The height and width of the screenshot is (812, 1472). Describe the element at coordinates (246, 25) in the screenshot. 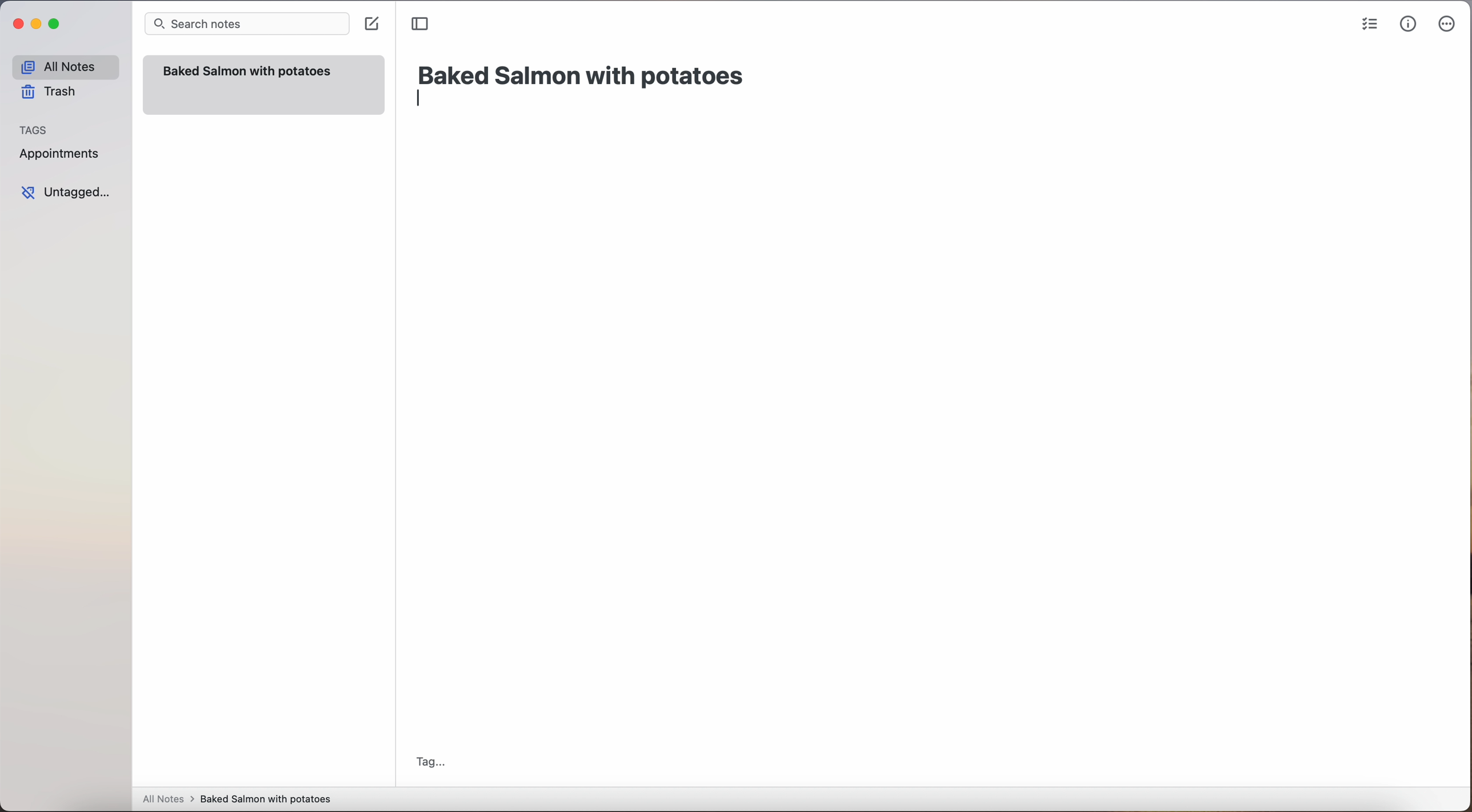

I see `search bar` at that location.